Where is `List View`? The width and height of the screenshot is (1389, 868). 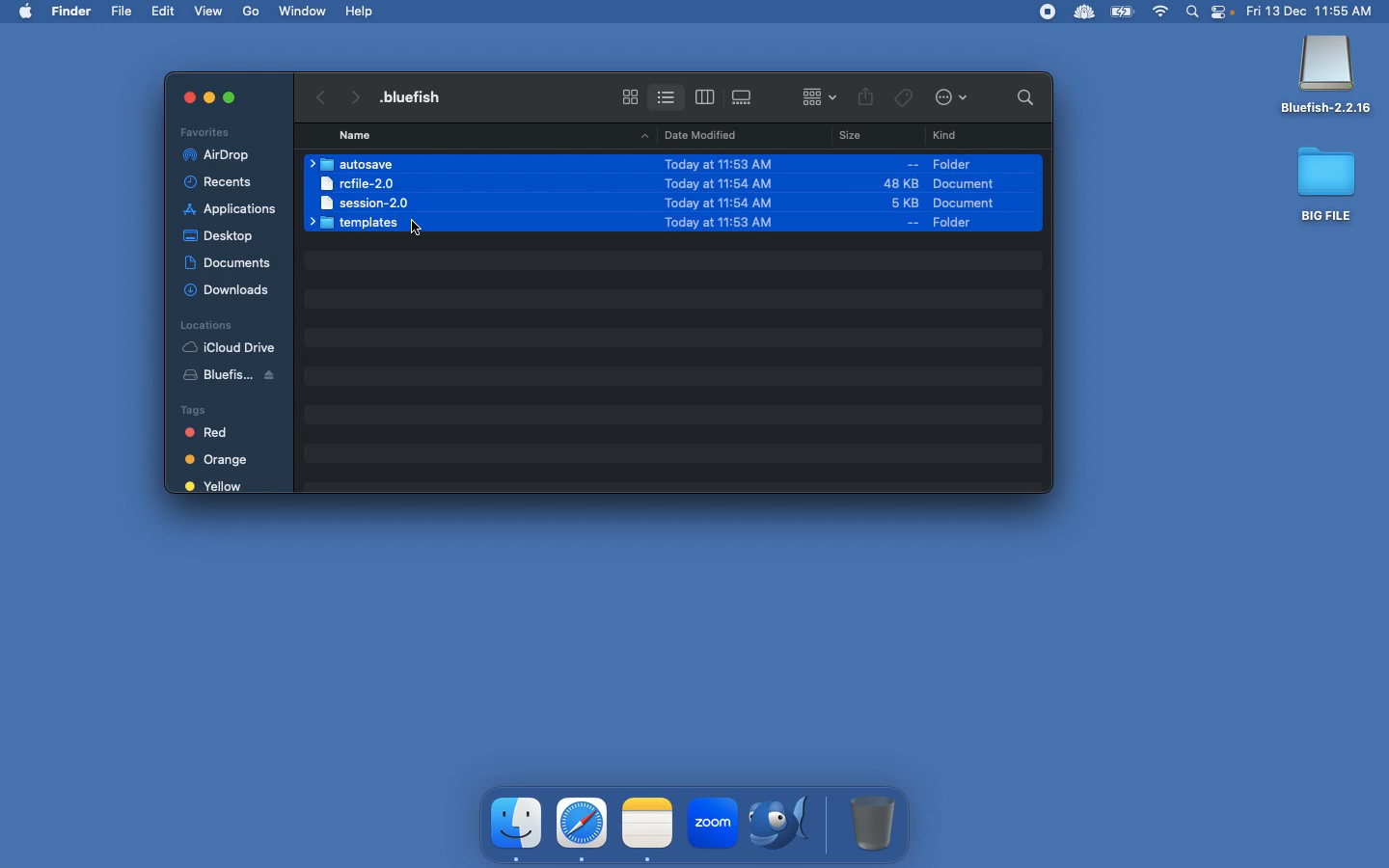
List View is located at coordinates (666, 94).